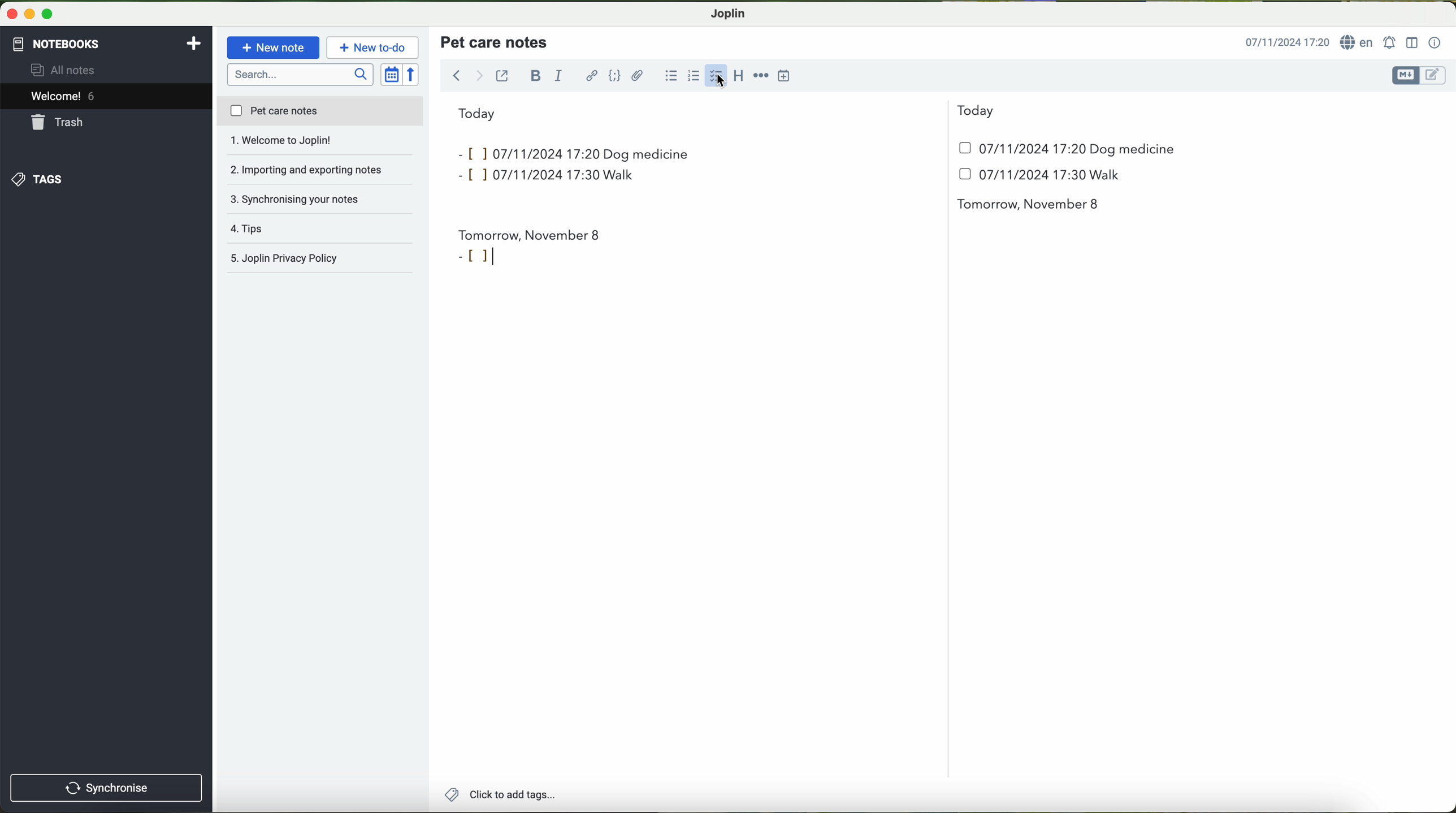 This screenshot has width=1456, height=813. Describe the element at coordinates (1133, 150) in the screenshot. I see `dog medicine` at that location.